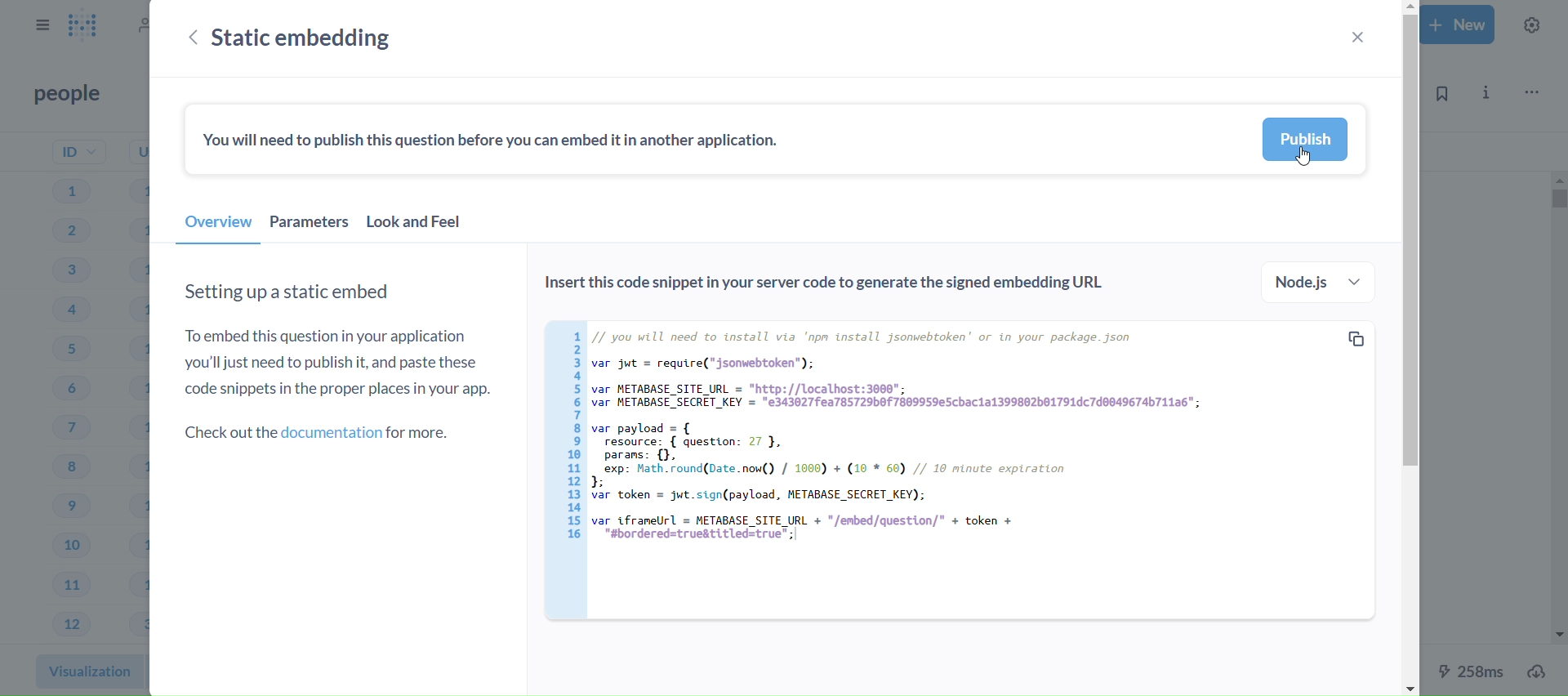 This screenshot has height=696, width=1568. Describe the element at coordinates (497, 141) in the screenshot. I see `you'll nedd to publish this question before you can embed it in another application` at that location.